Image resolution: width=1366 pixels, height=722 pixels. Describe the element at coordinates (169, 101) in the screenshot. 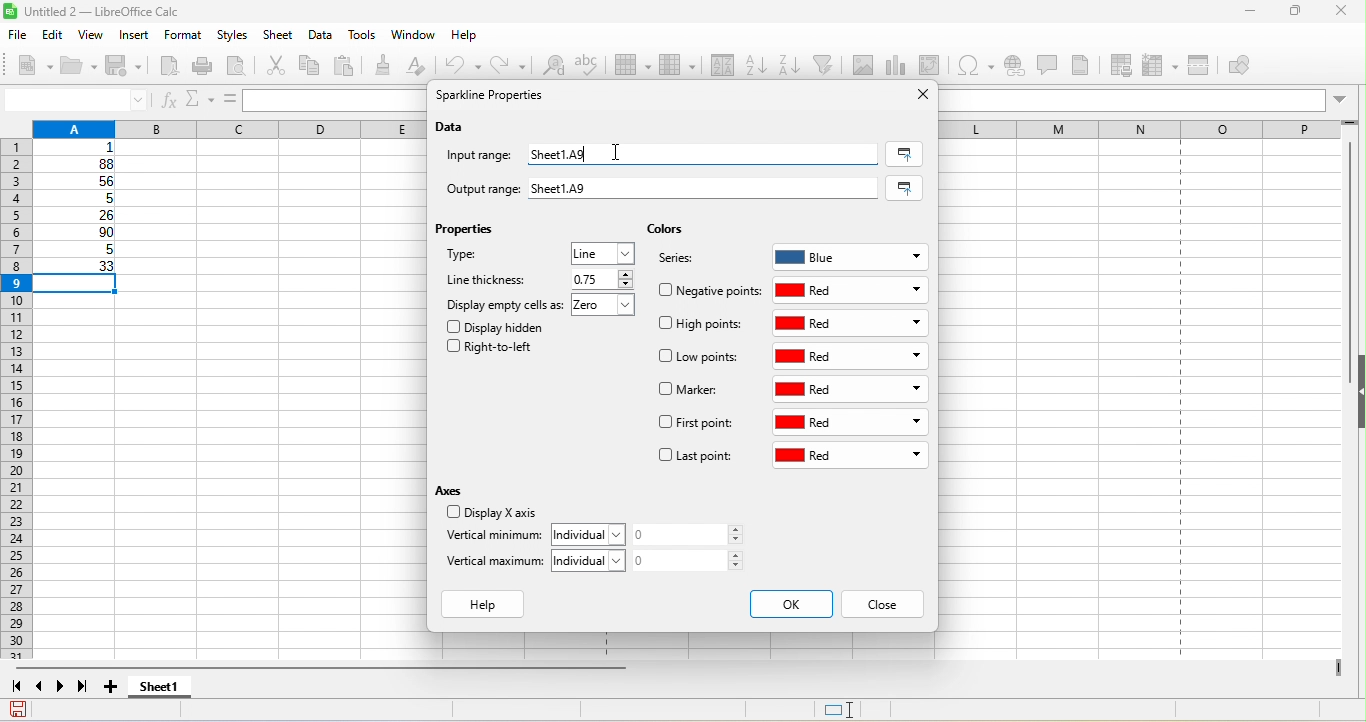

I see `function wizard` at that location.